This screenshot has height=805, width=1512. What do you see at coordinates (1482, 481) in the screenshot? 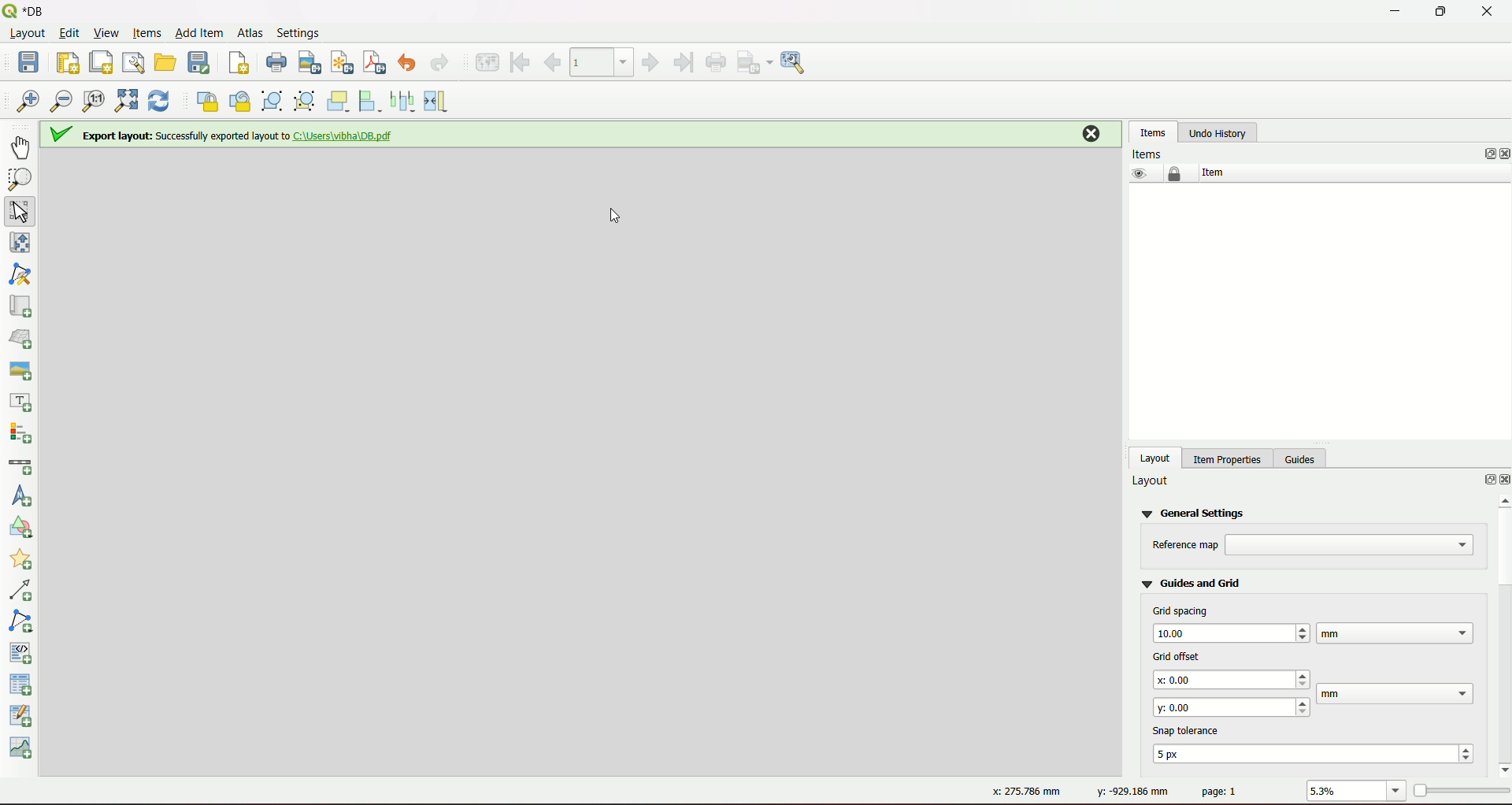
I see `options` at bounding box center [1482, 481].